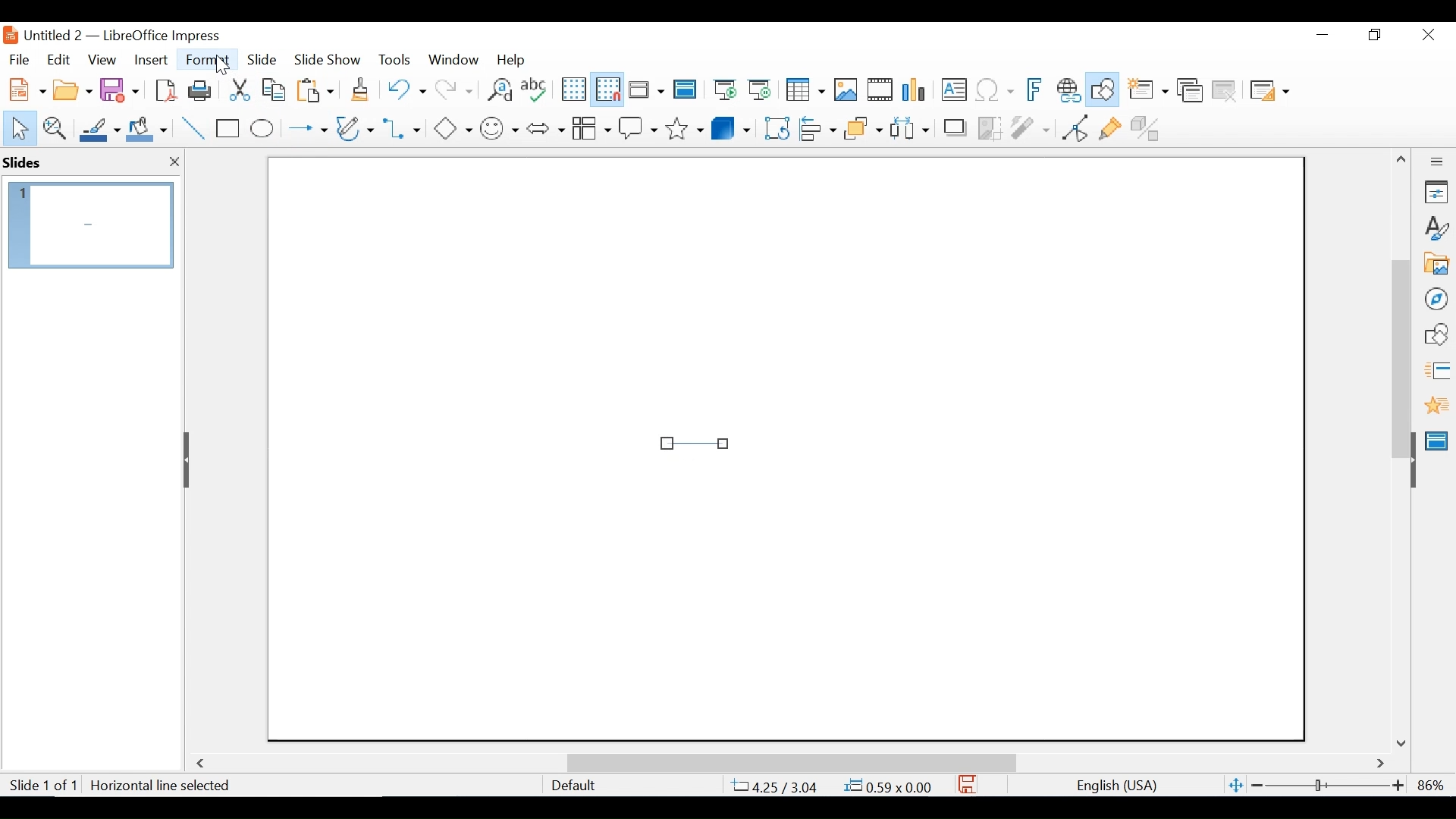  Describe the element at coordinates (968, 784) in the screenshot. I see `Save` at that location.